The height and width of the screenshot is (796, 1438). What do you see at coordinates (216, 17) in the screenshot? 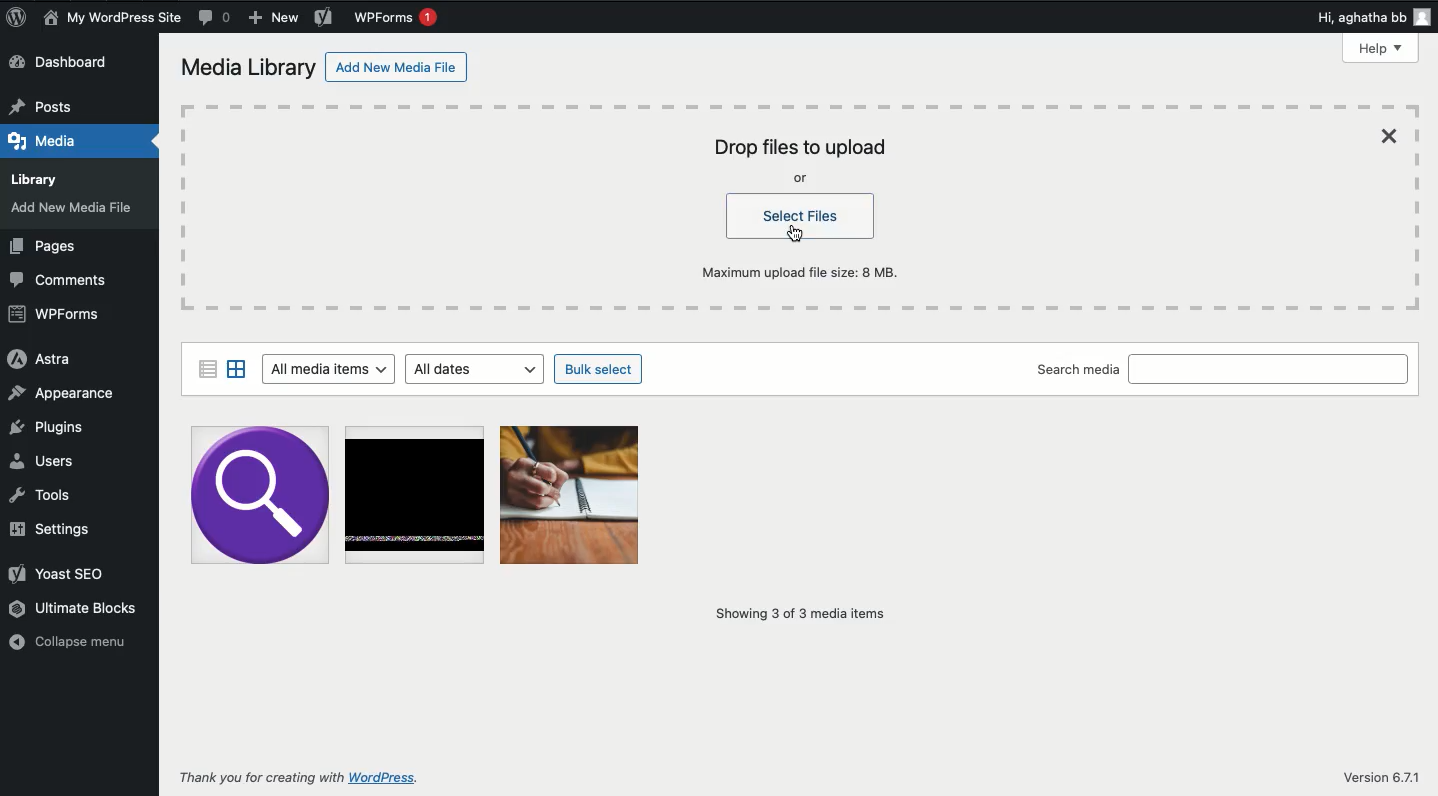
I see `Comments` at bounding box center [216, 17].